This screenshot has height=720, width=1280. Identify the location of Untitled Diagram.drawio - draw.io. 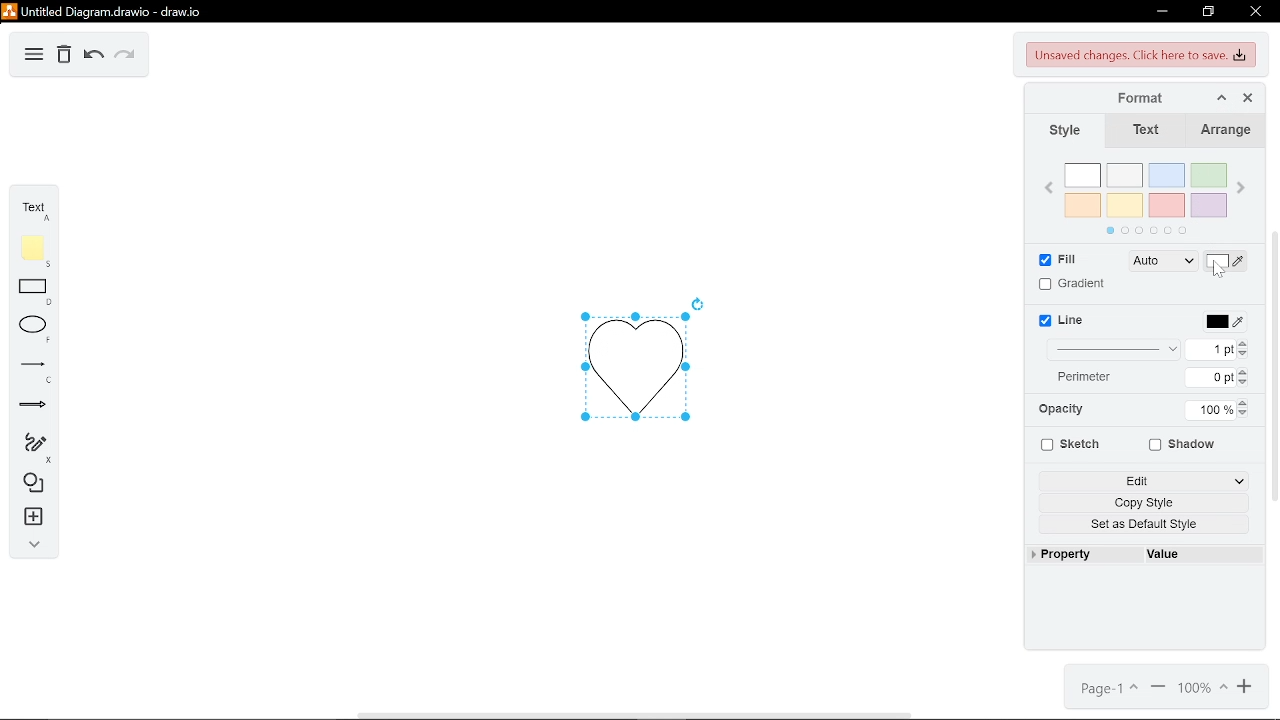
(105, 11).